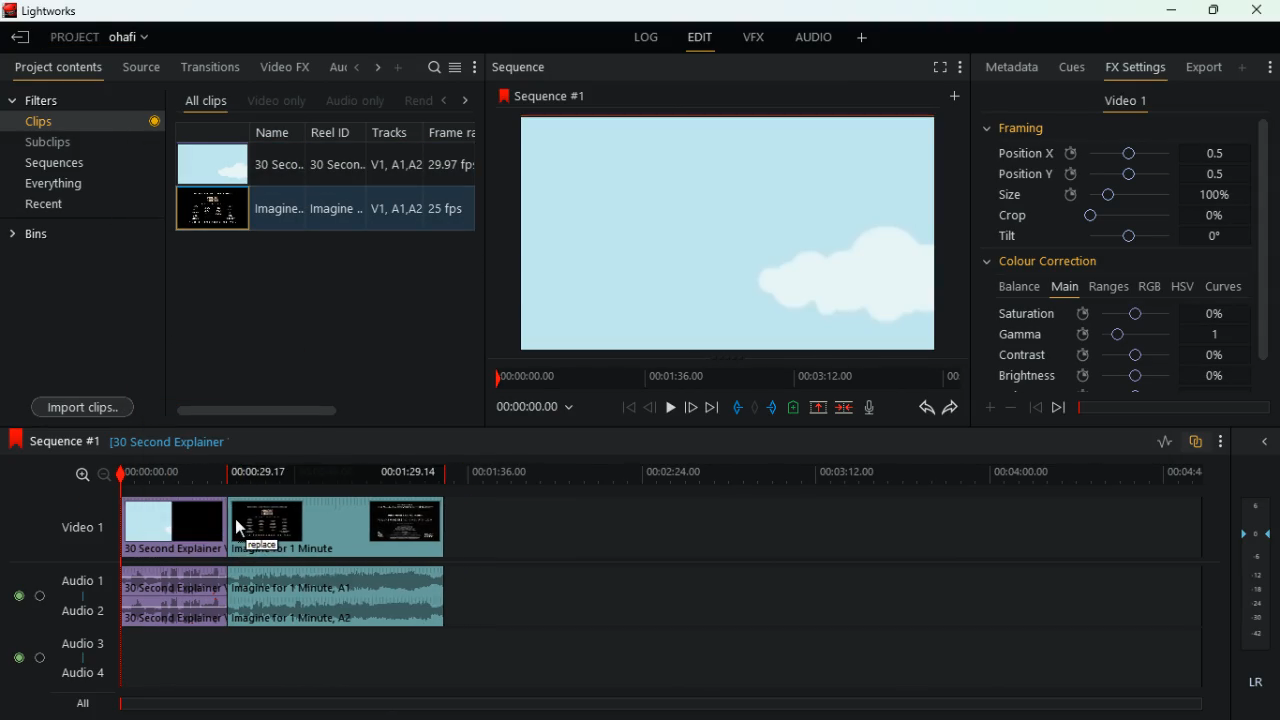  What do you see at coordinates (143, 69) in the screenshot?
I see `source` at bounding box center [143, 69].